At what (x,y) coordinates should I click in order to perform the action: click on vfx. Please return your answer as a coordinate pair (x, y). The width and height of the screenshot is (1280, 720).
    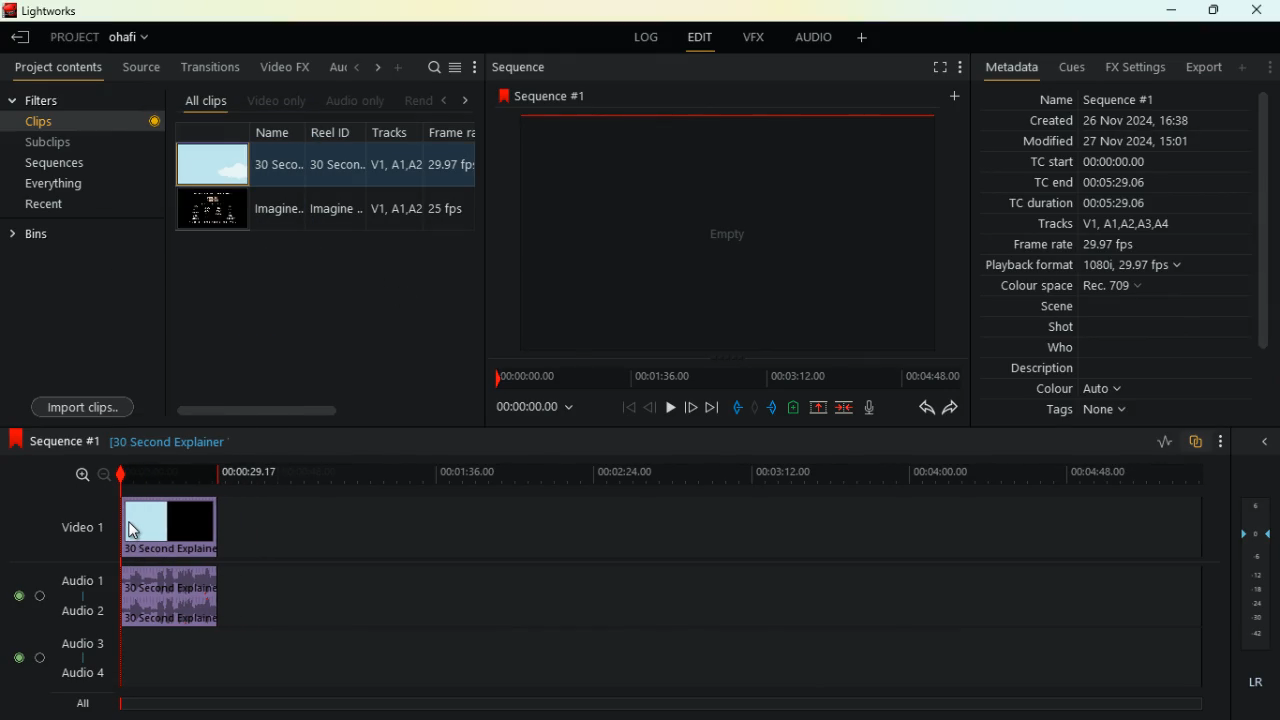
    Looking at the image, I should click on (750, 37).